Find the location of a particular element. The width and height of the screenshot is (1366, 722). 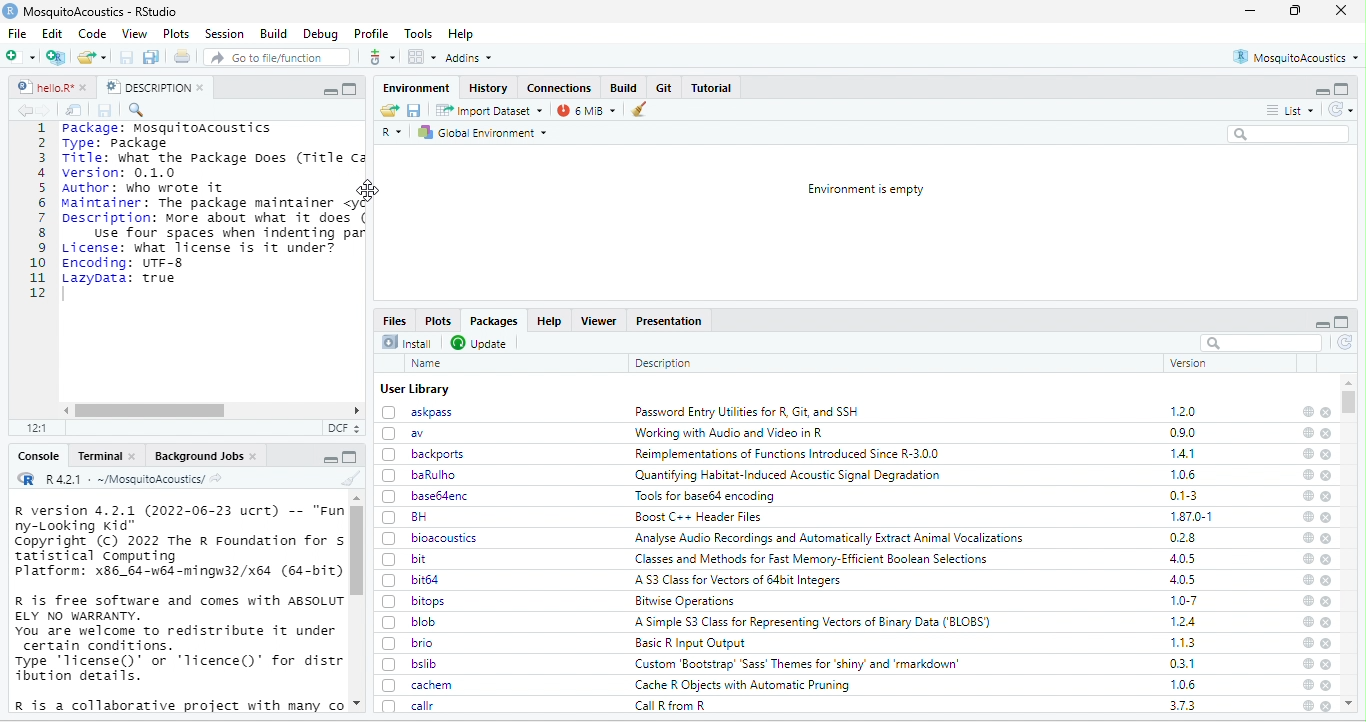

Presentation is located at coordinates (671, 321).